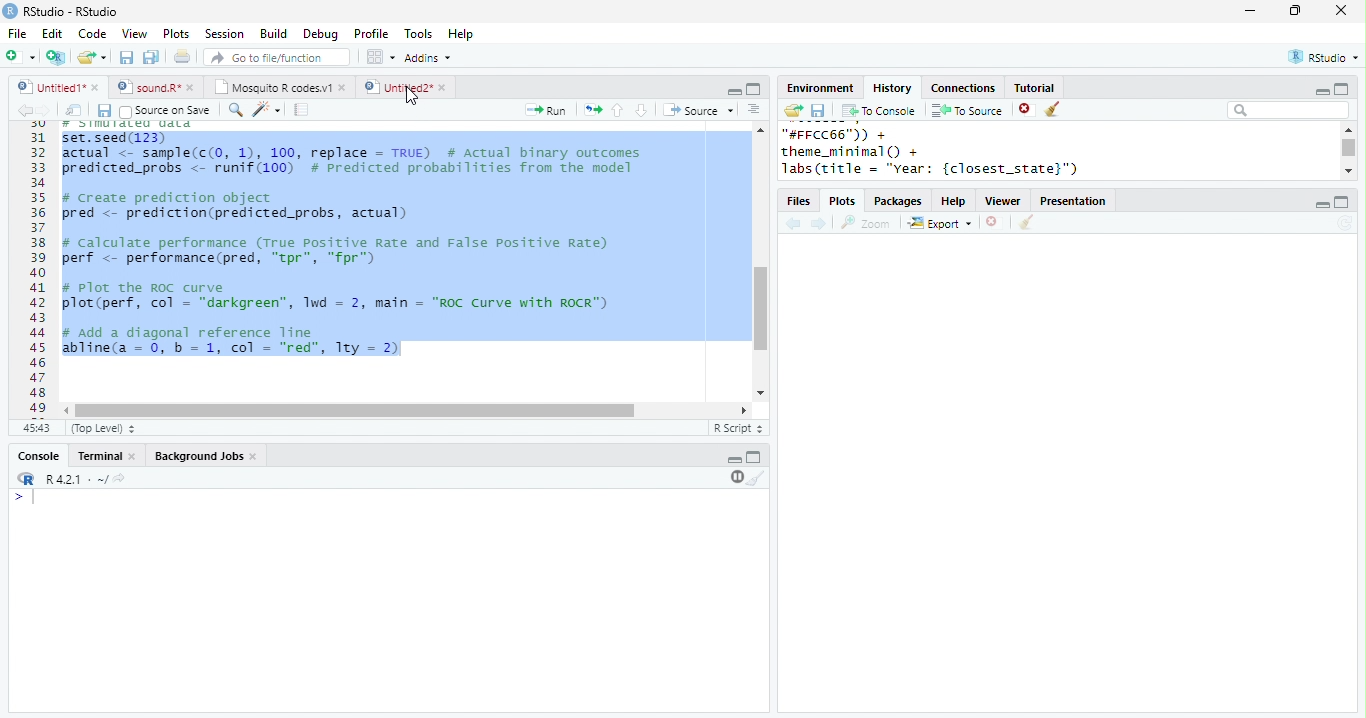  Describe the element at coordinates (234, 343) in the screenshot. I see `# Add a diagonal reference line
abline(a = 0, b = 1, col = "red", Try = 2)` at that location.